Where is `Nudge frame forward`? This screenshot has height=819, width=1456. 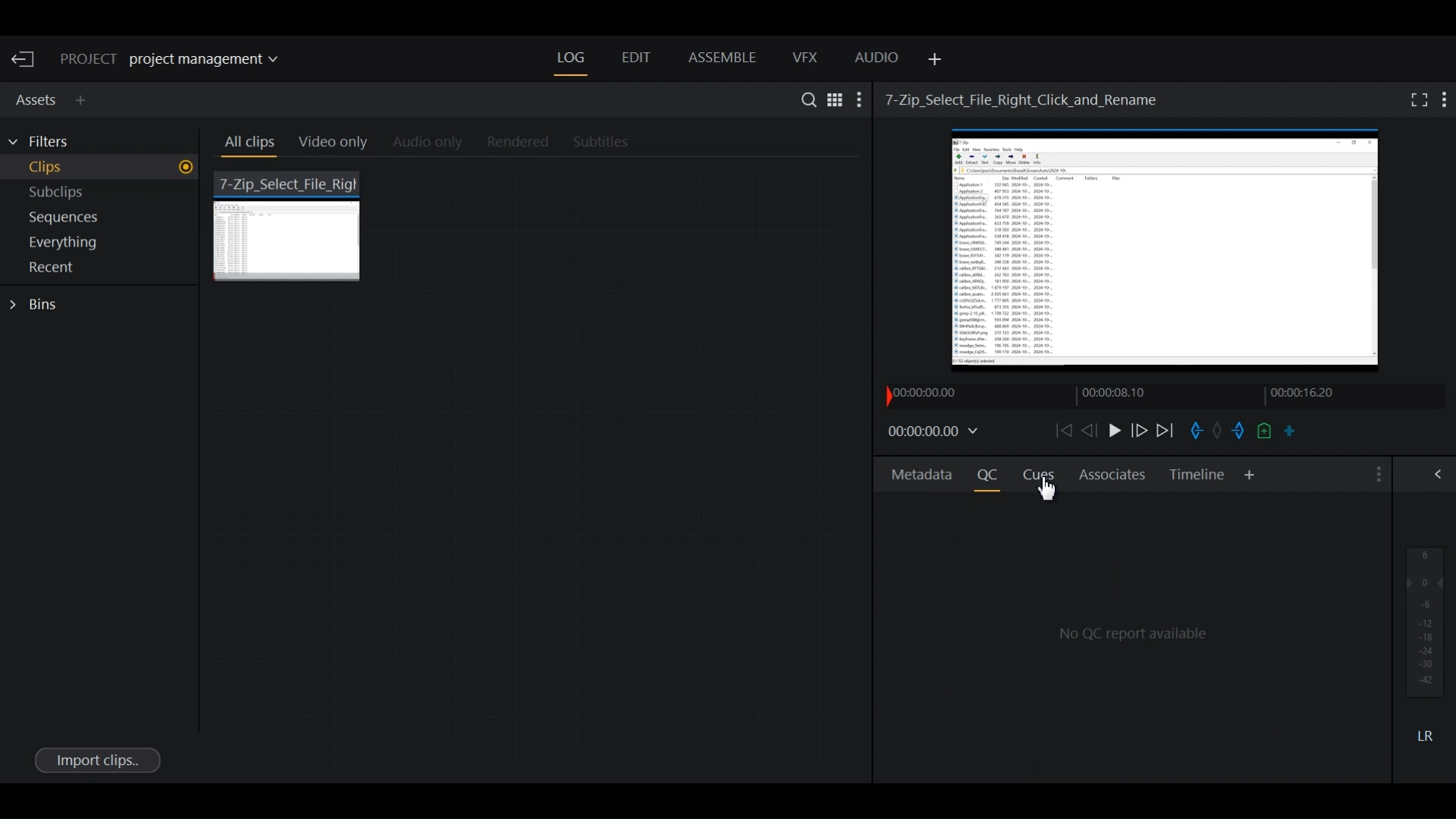 Nudge frame forward is located at coordinates (1141, 430).